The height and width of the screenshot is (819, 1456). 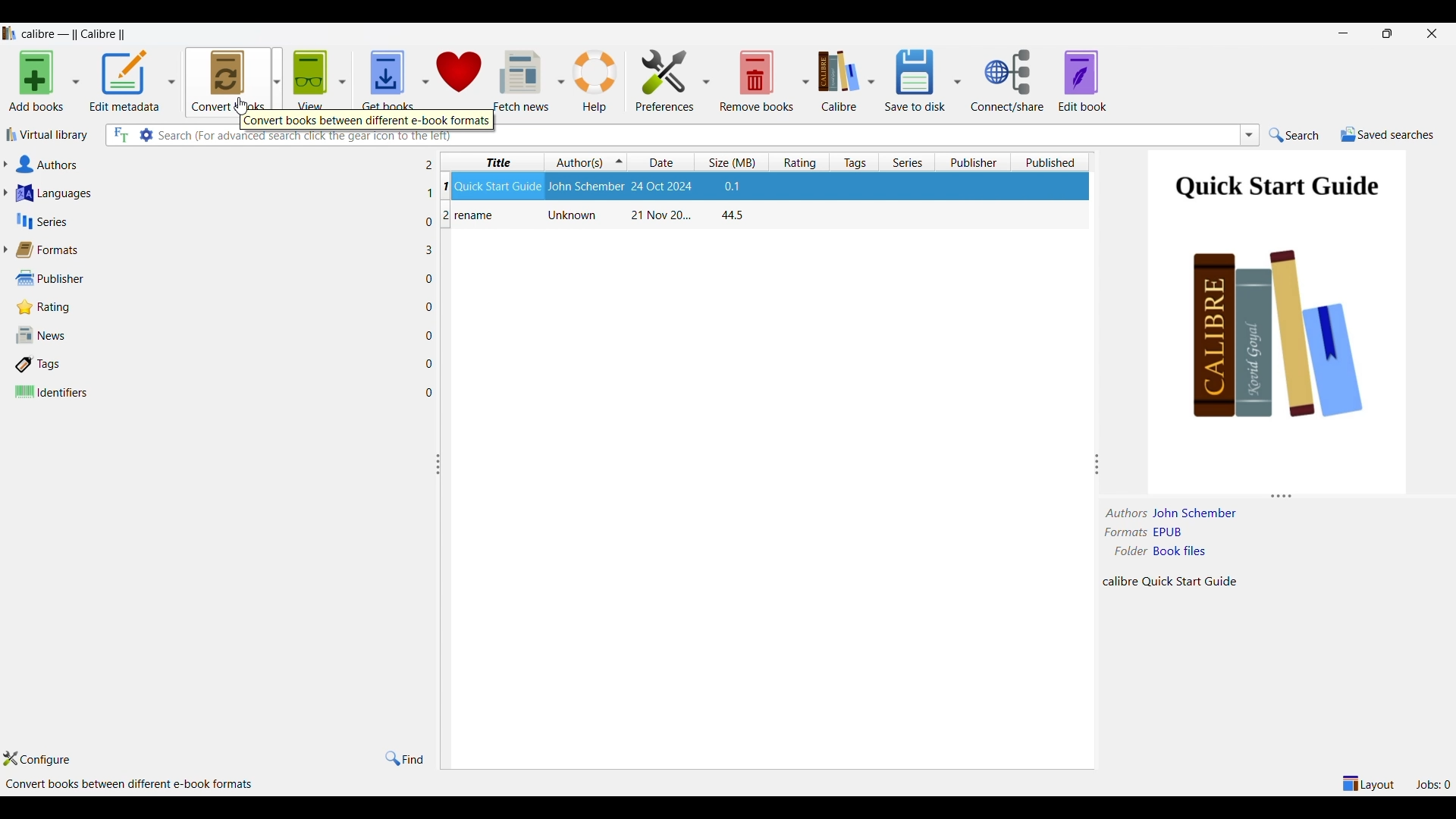 I want to click on Advanced search, so click(x=145, y=134).